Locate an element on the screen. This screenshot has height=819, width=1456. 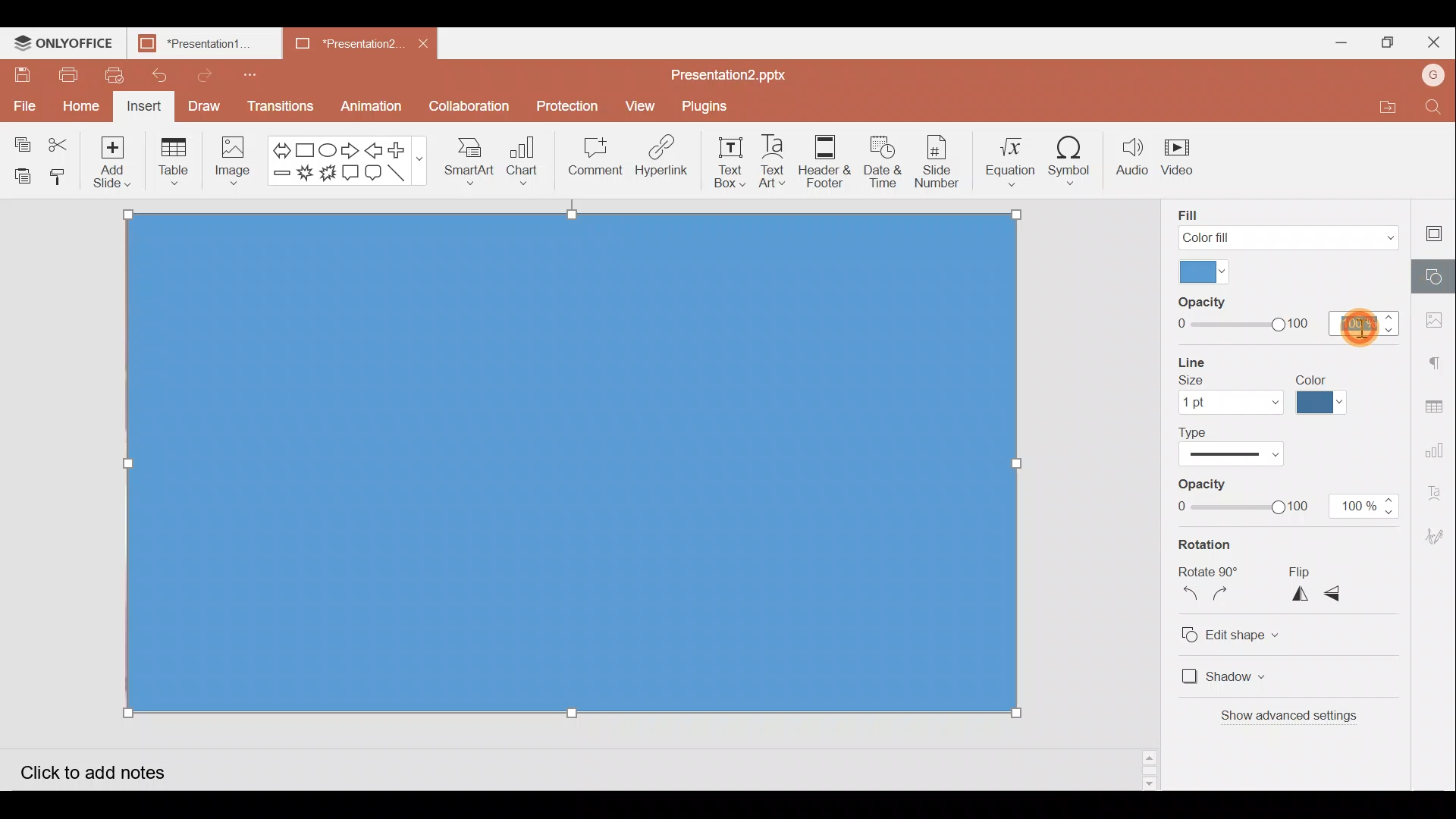
Hyperlink is located at coordinates (657, 158).